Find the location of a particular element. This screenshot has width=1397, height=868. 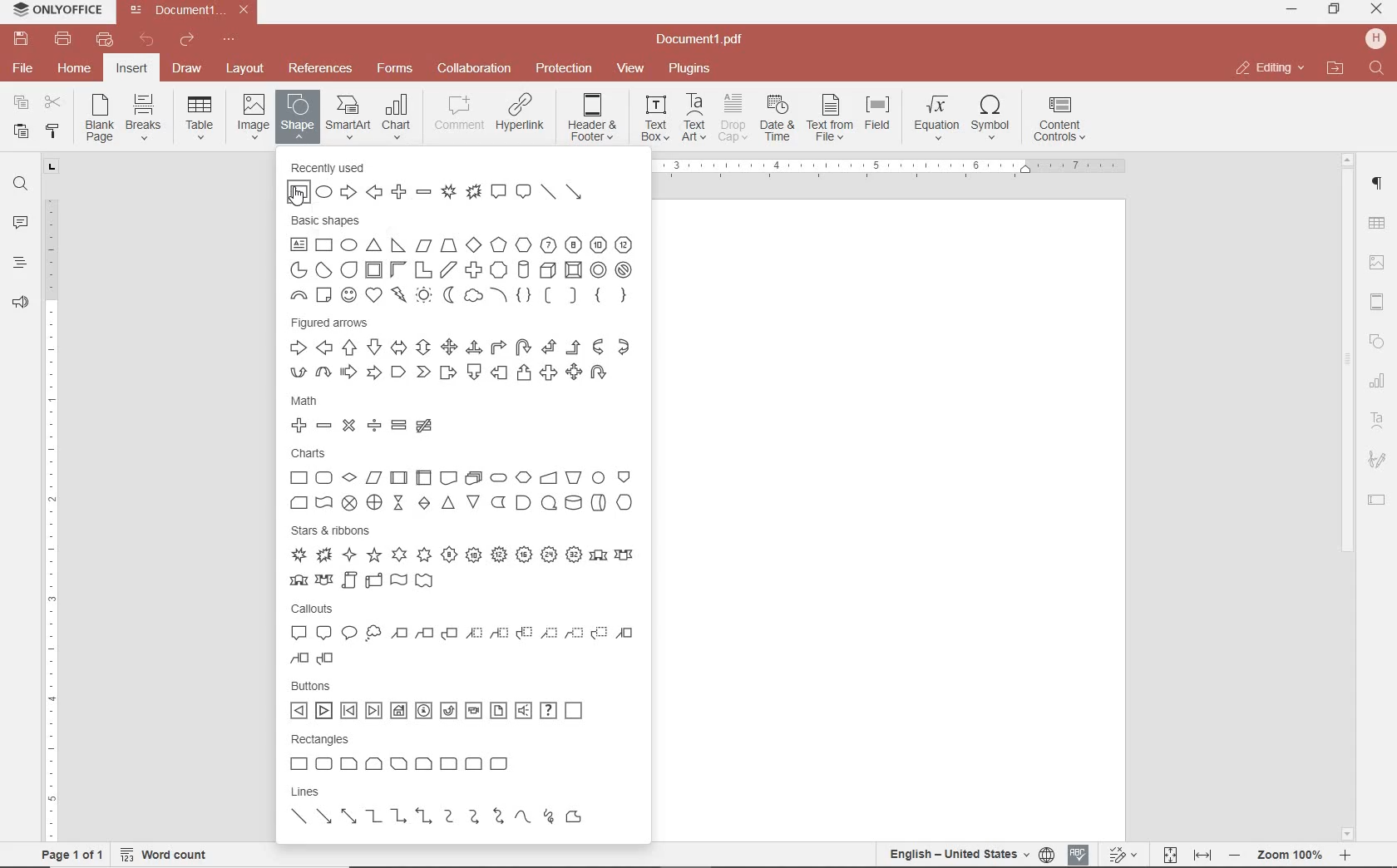

layout is located at coordinates (248, 70).